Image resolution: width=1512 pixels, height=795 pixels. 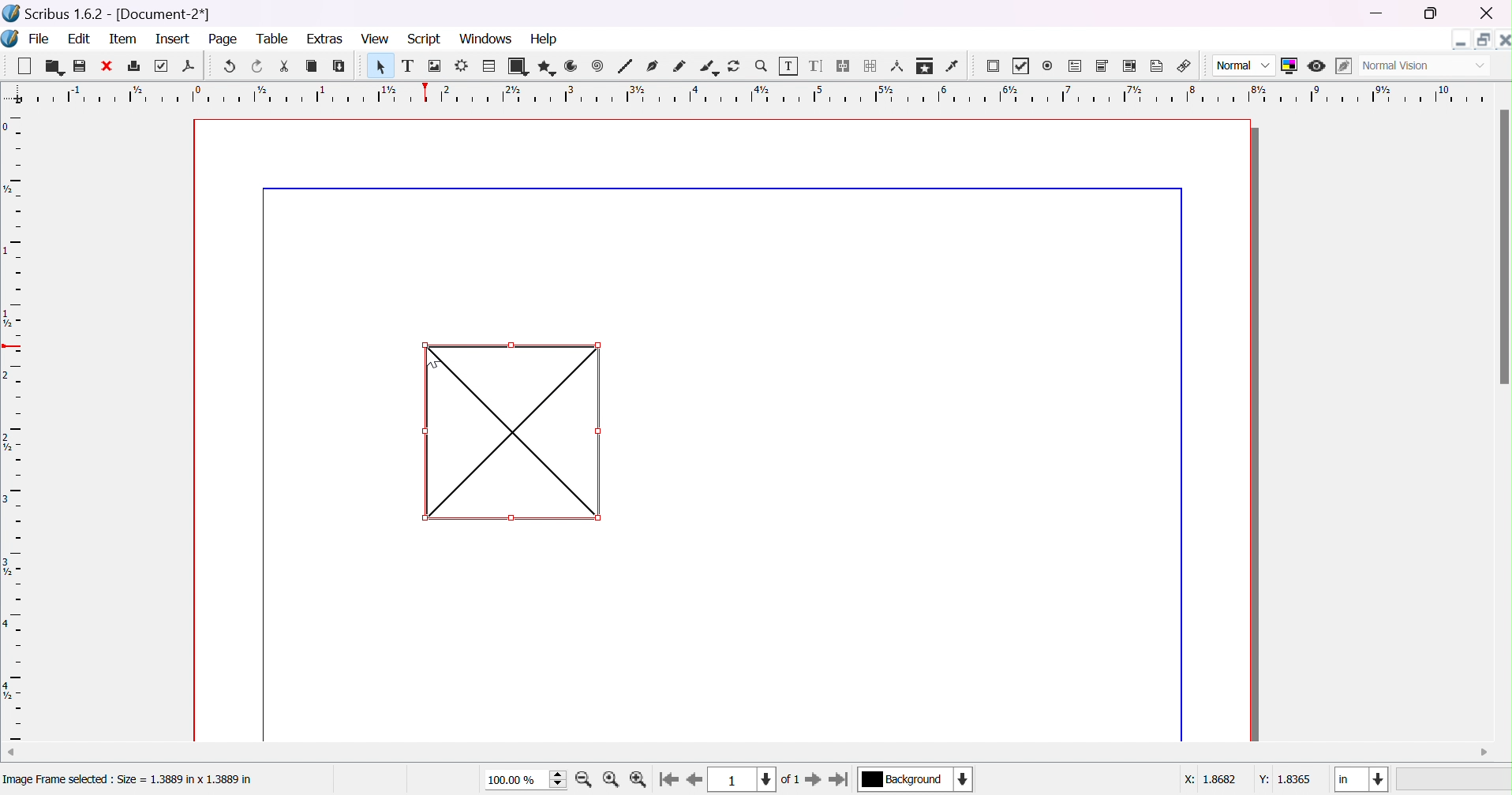 What do you see at coordinates (133, 65) in the screenshot?
I see `print` at bounding box center [133, 65].